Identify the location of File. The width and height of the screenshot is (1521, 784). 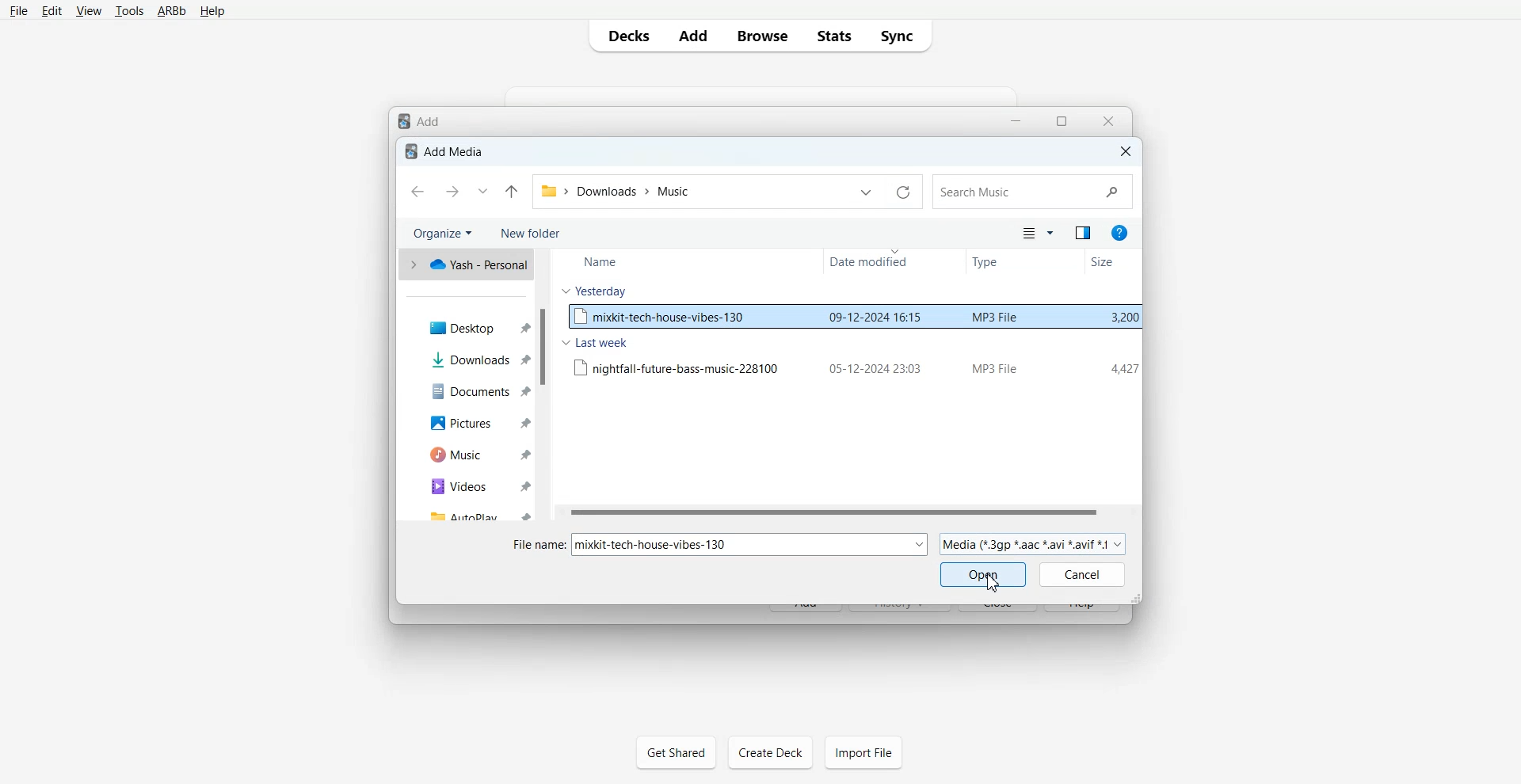
(18, 11).